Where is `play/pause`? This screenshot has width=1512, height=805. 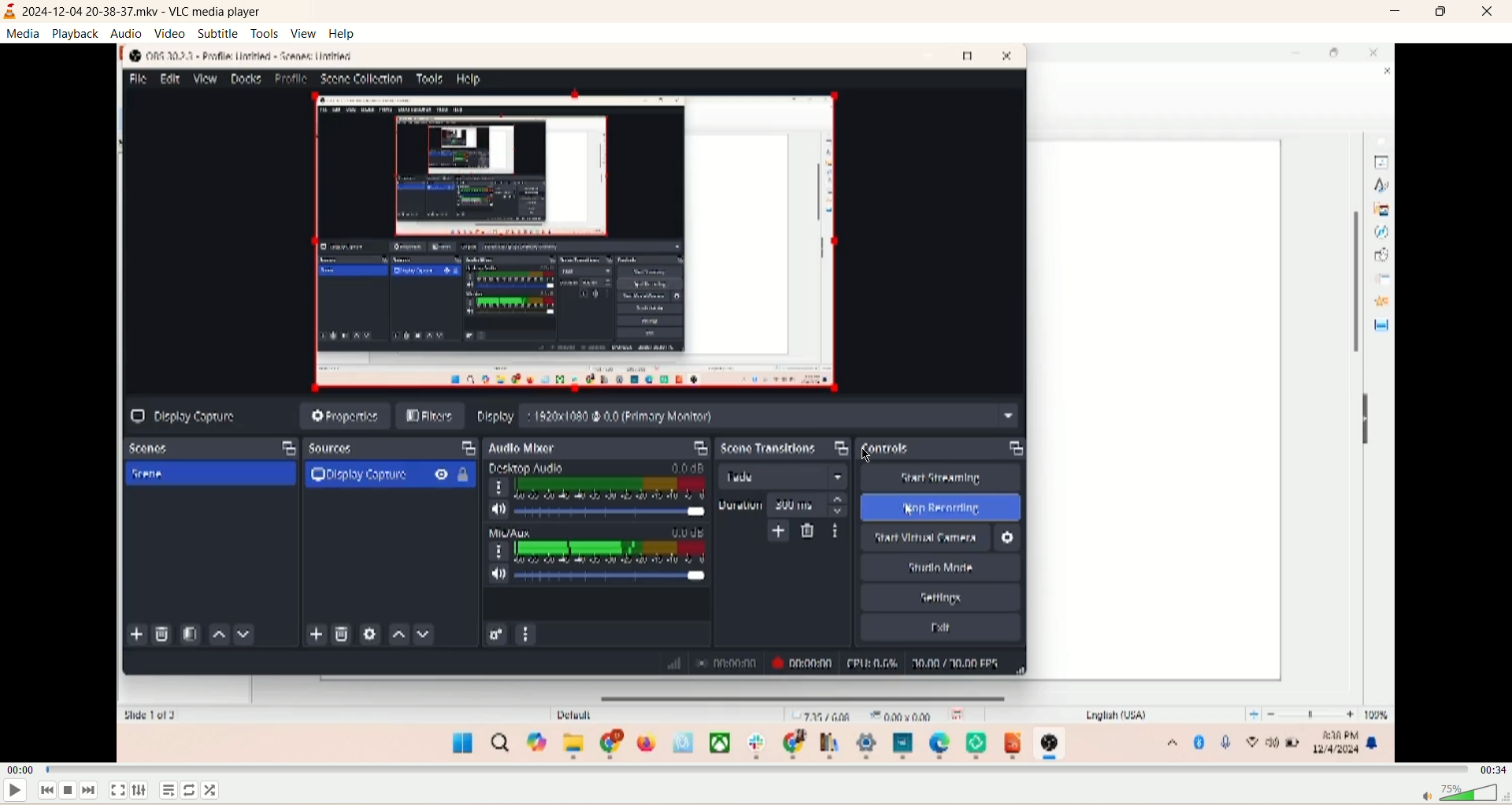 play/pause is located at coordinates (14, 793).